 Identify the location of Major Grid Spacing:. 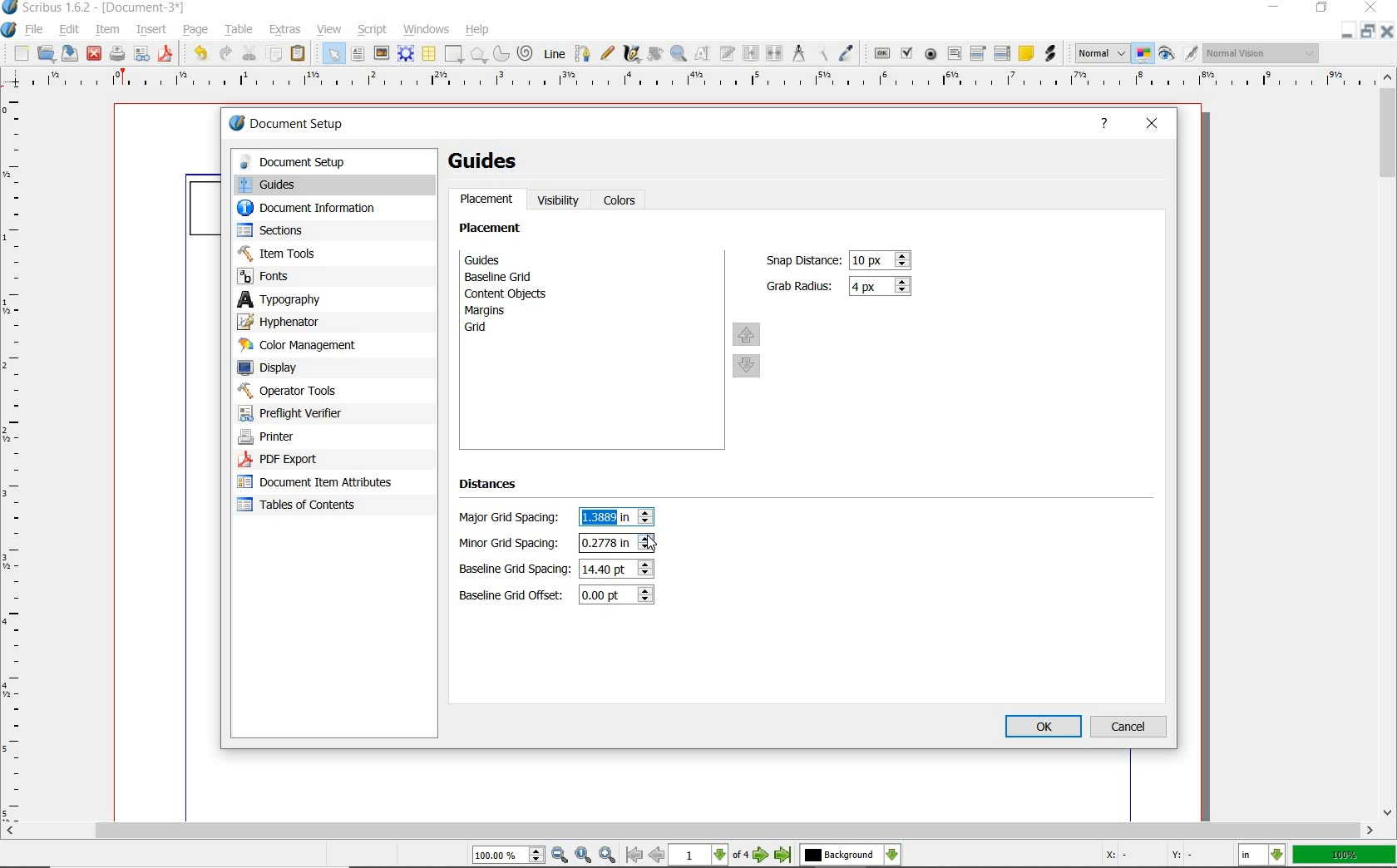
(513, 518).